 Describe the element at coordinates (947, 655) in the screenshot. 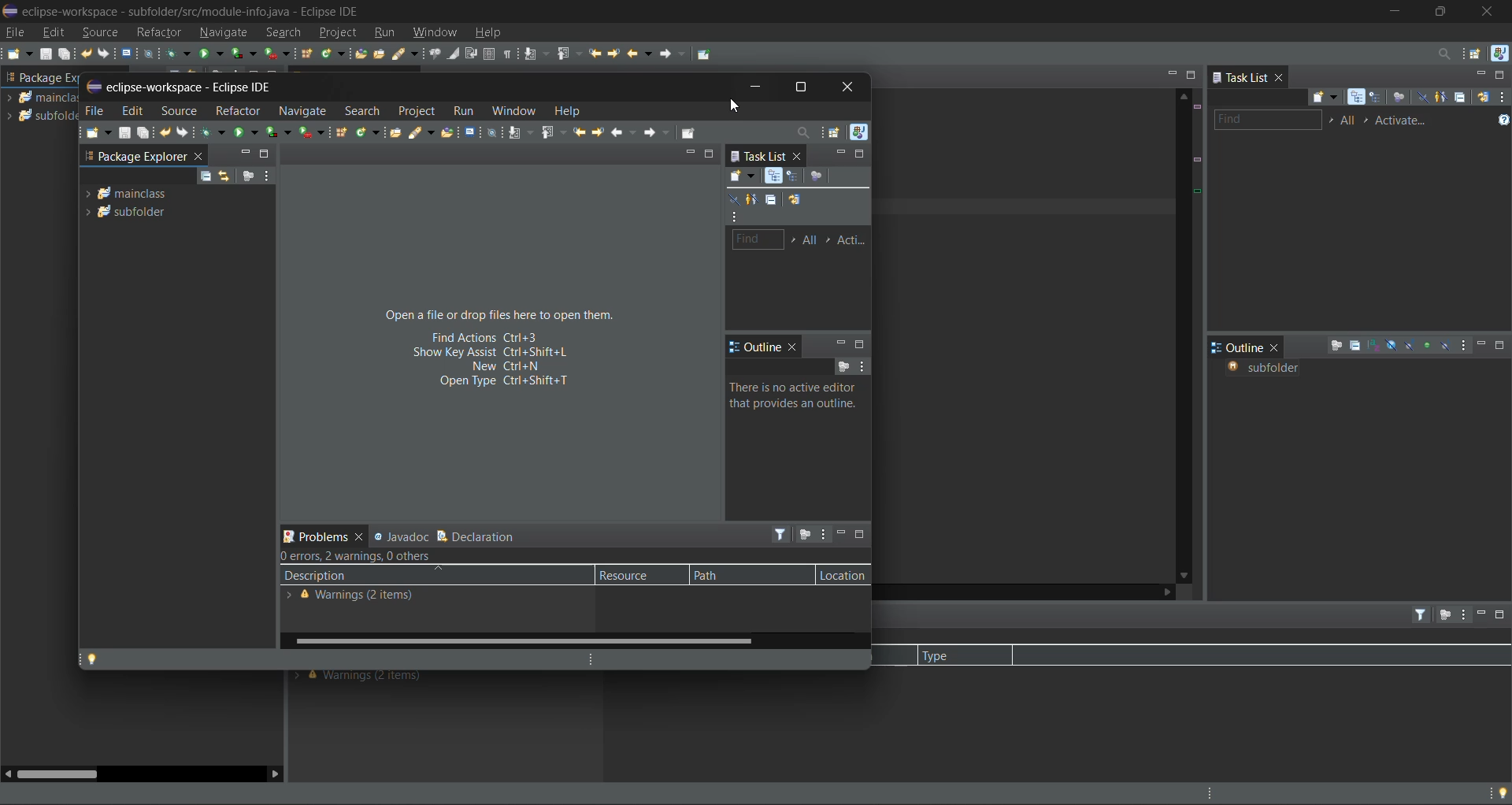

I see `type` at that location.